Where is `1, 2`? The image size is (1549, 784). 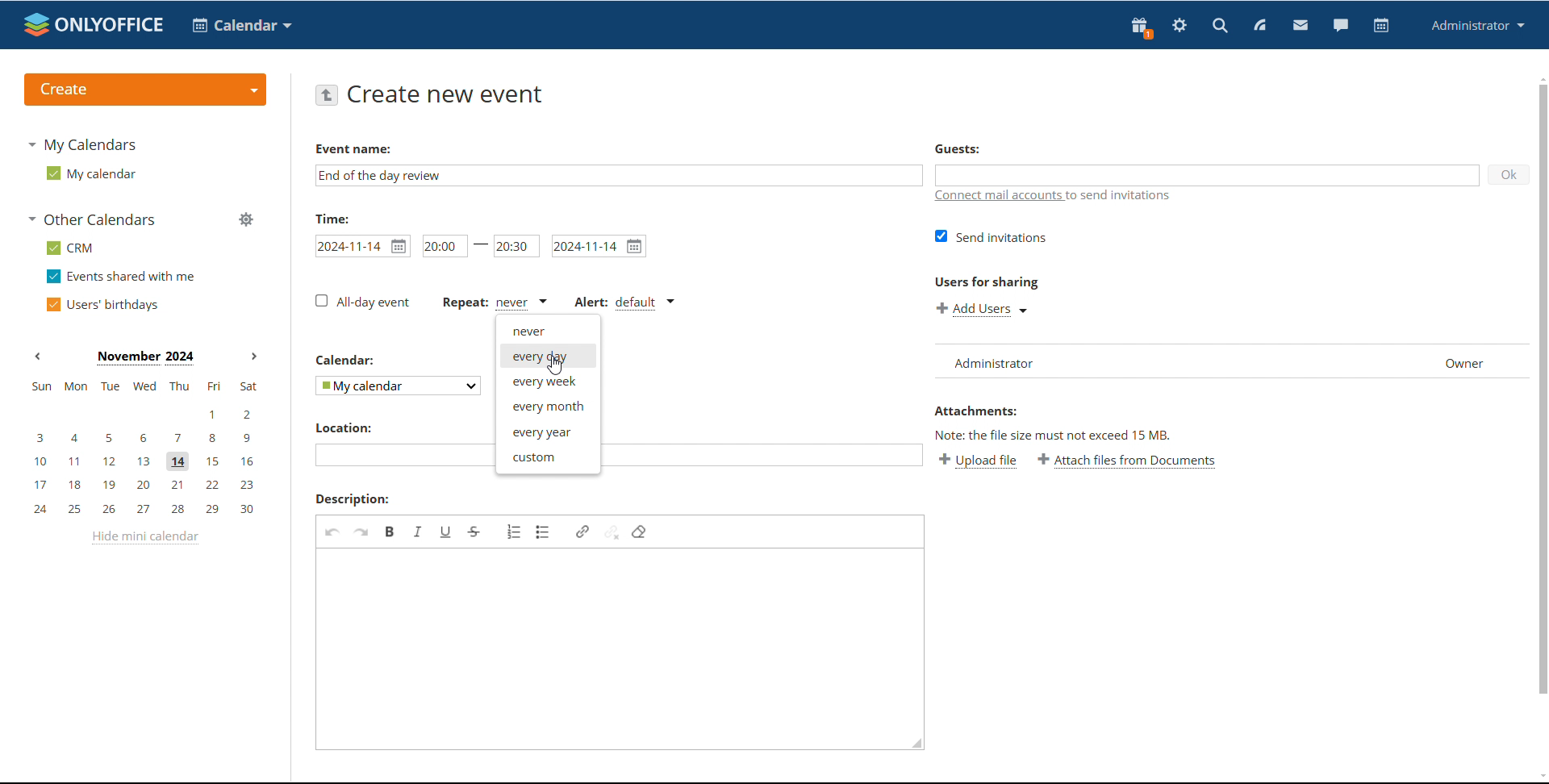 1, 2 is located at coordinates (142, 415).